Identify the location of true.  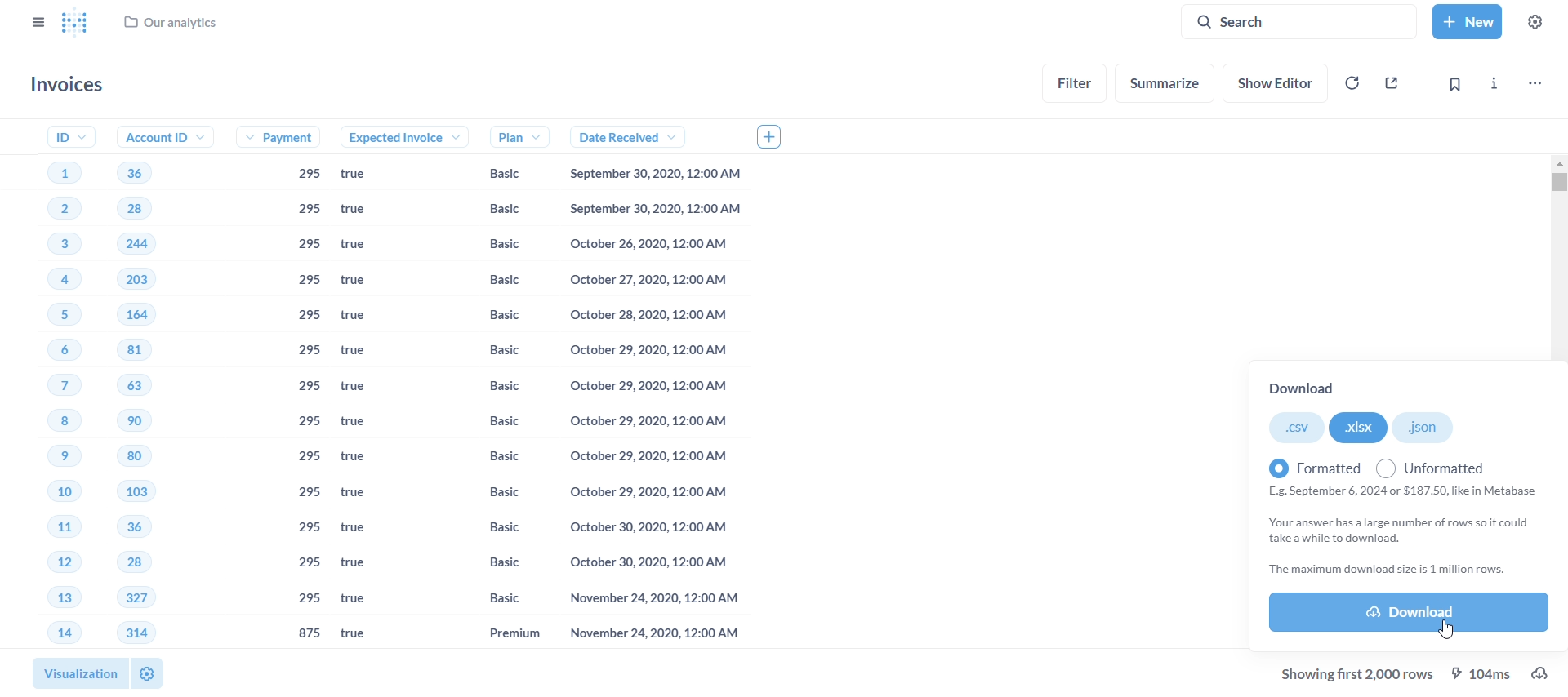
(360, 496).